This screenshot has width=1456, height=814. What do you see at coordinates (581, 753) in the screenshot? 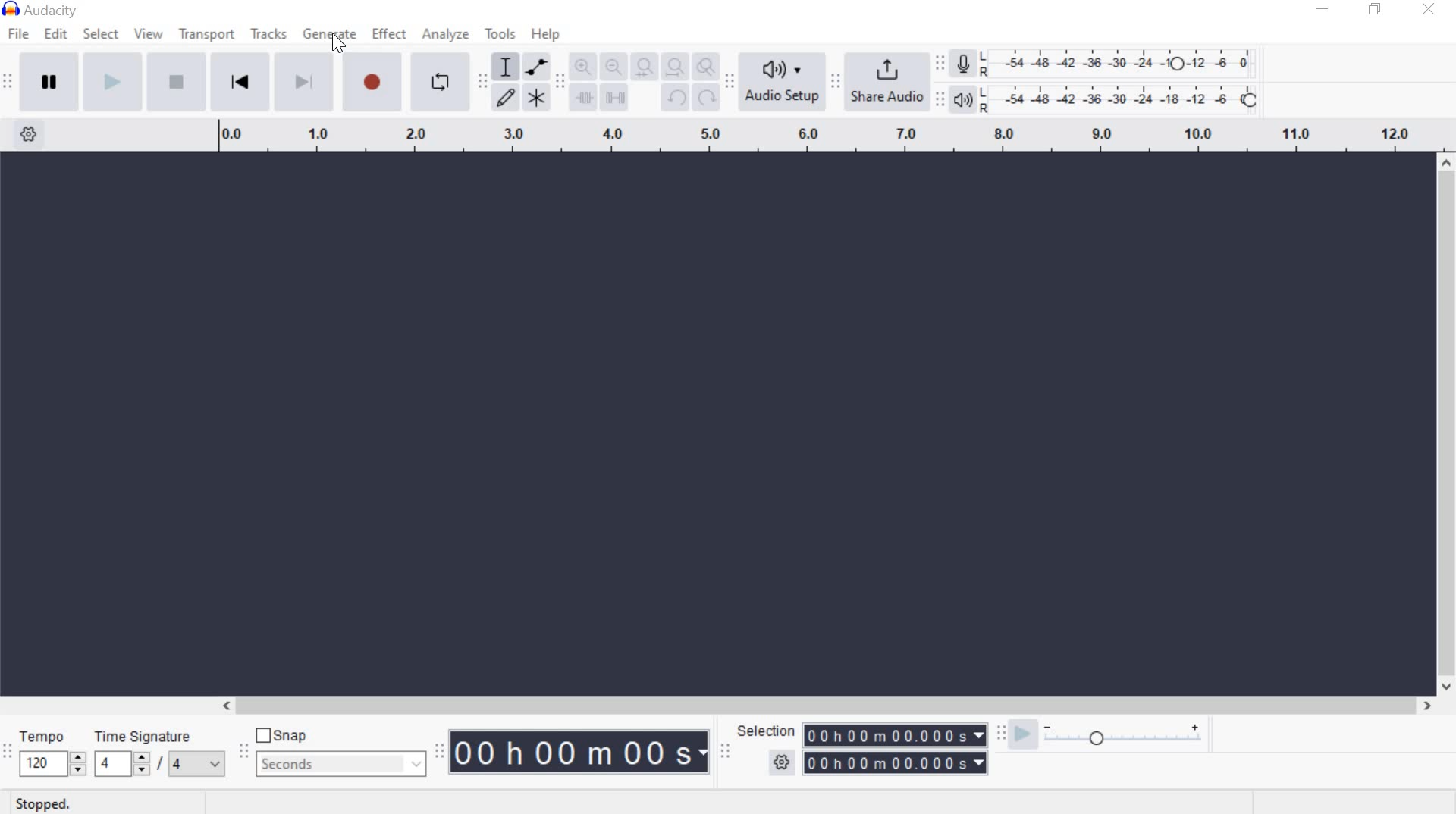
I see `audacity time` at bounding box center [581, 753].